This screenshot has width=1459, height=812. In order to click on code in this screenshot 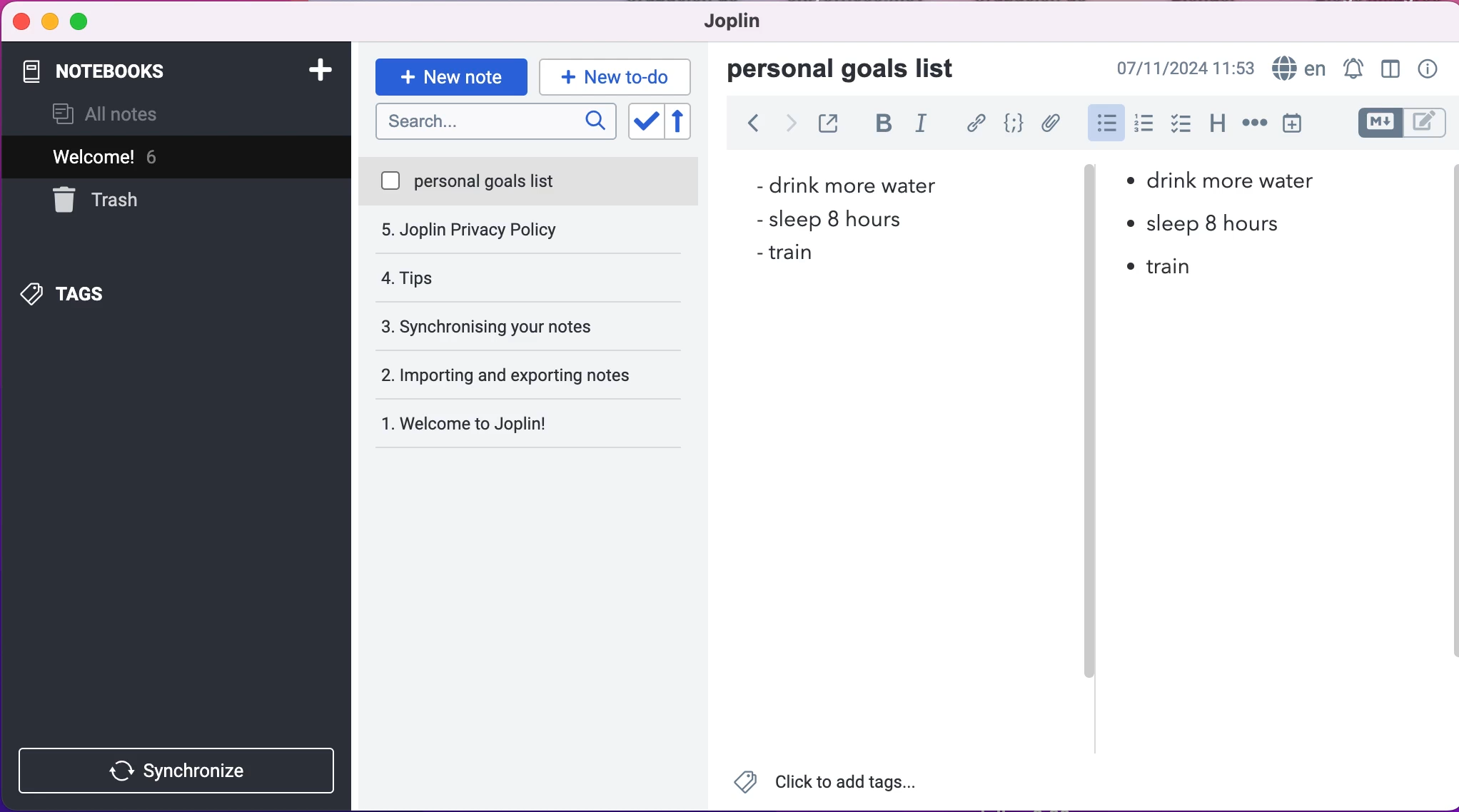, I will do `click(1011, 124)`.